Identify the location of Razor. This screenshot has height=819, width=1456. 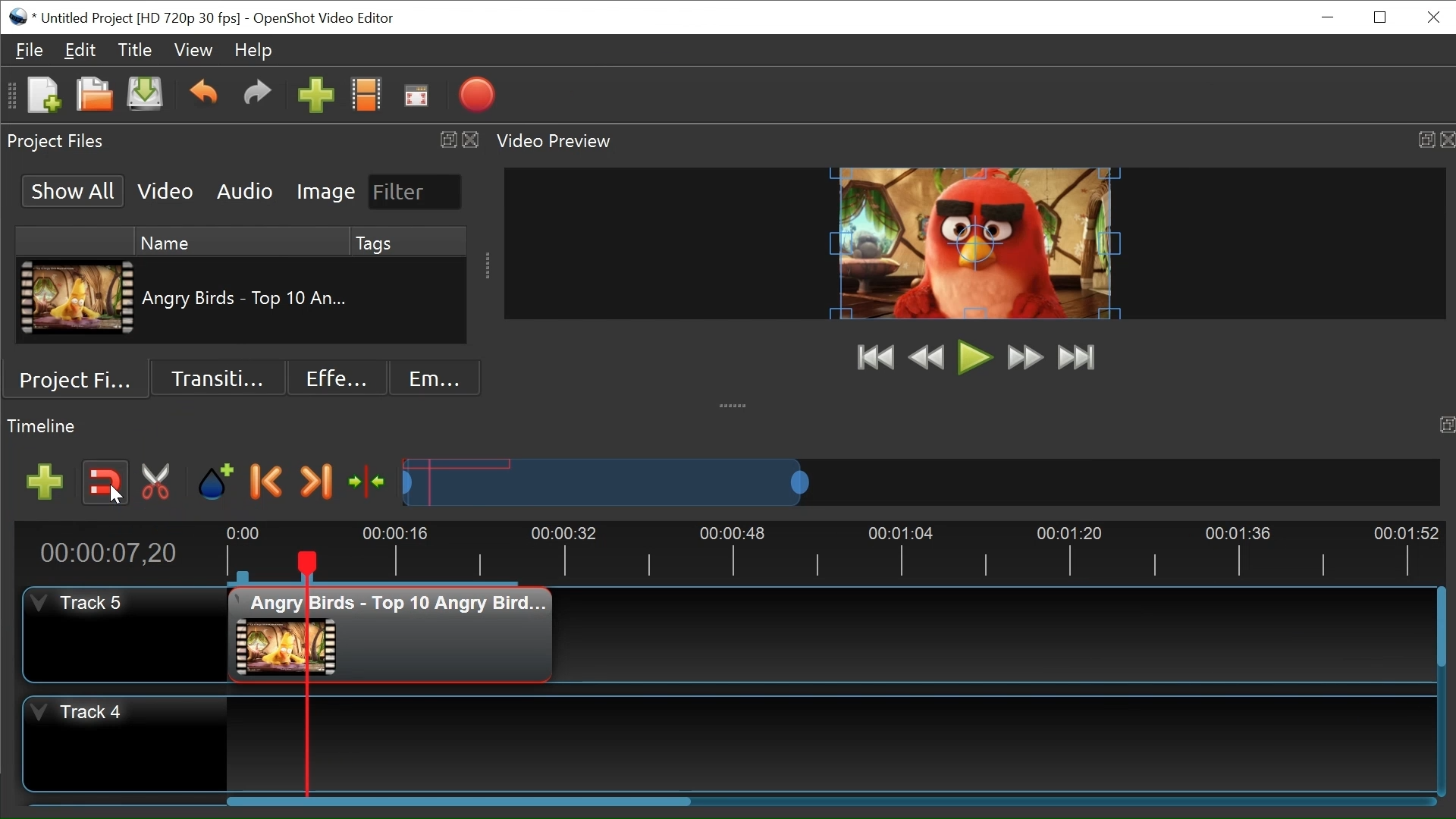
(160, 482).